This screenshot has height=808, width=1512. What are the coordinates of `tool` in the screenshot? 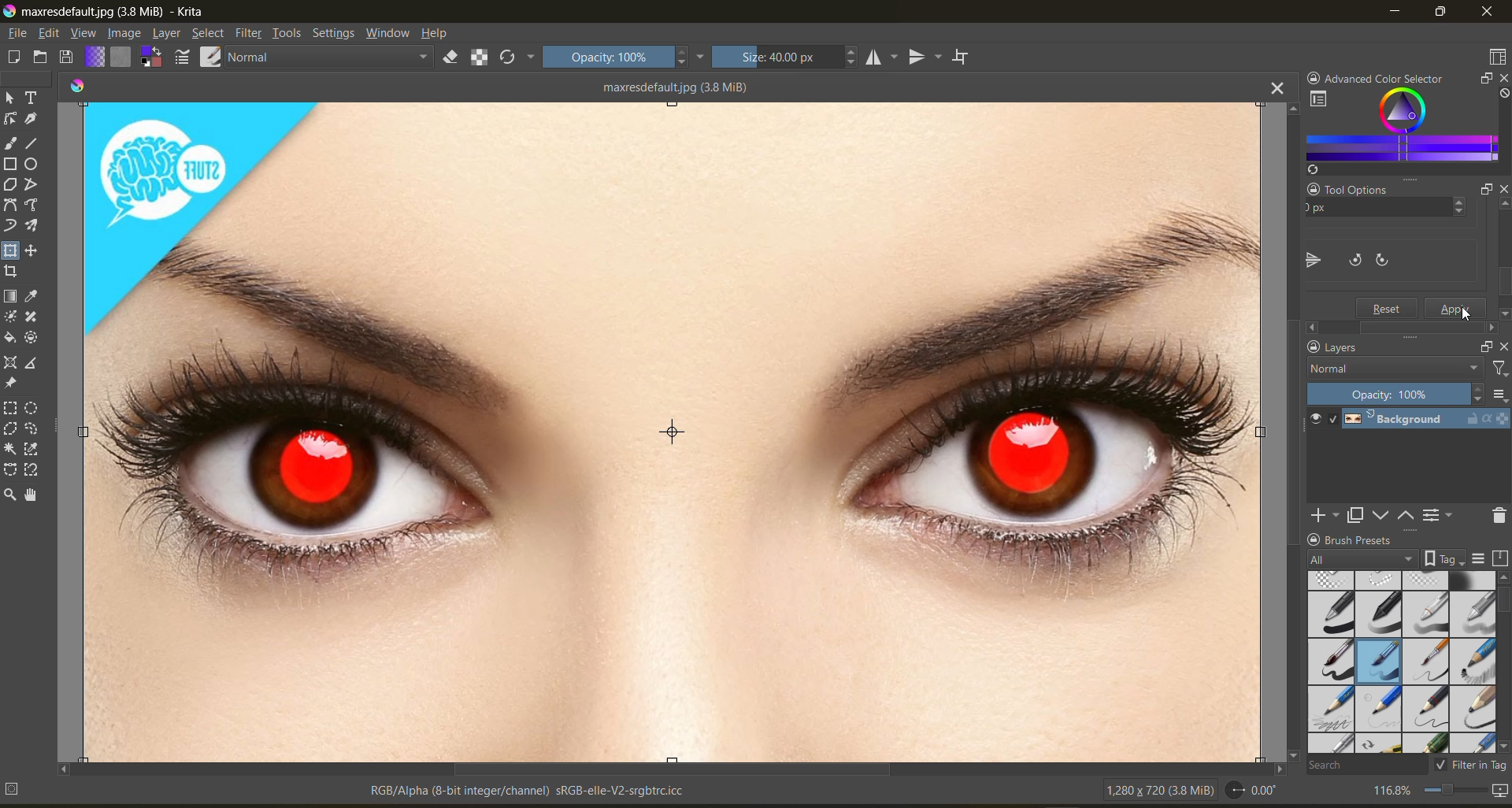 It's located at (31, 410).